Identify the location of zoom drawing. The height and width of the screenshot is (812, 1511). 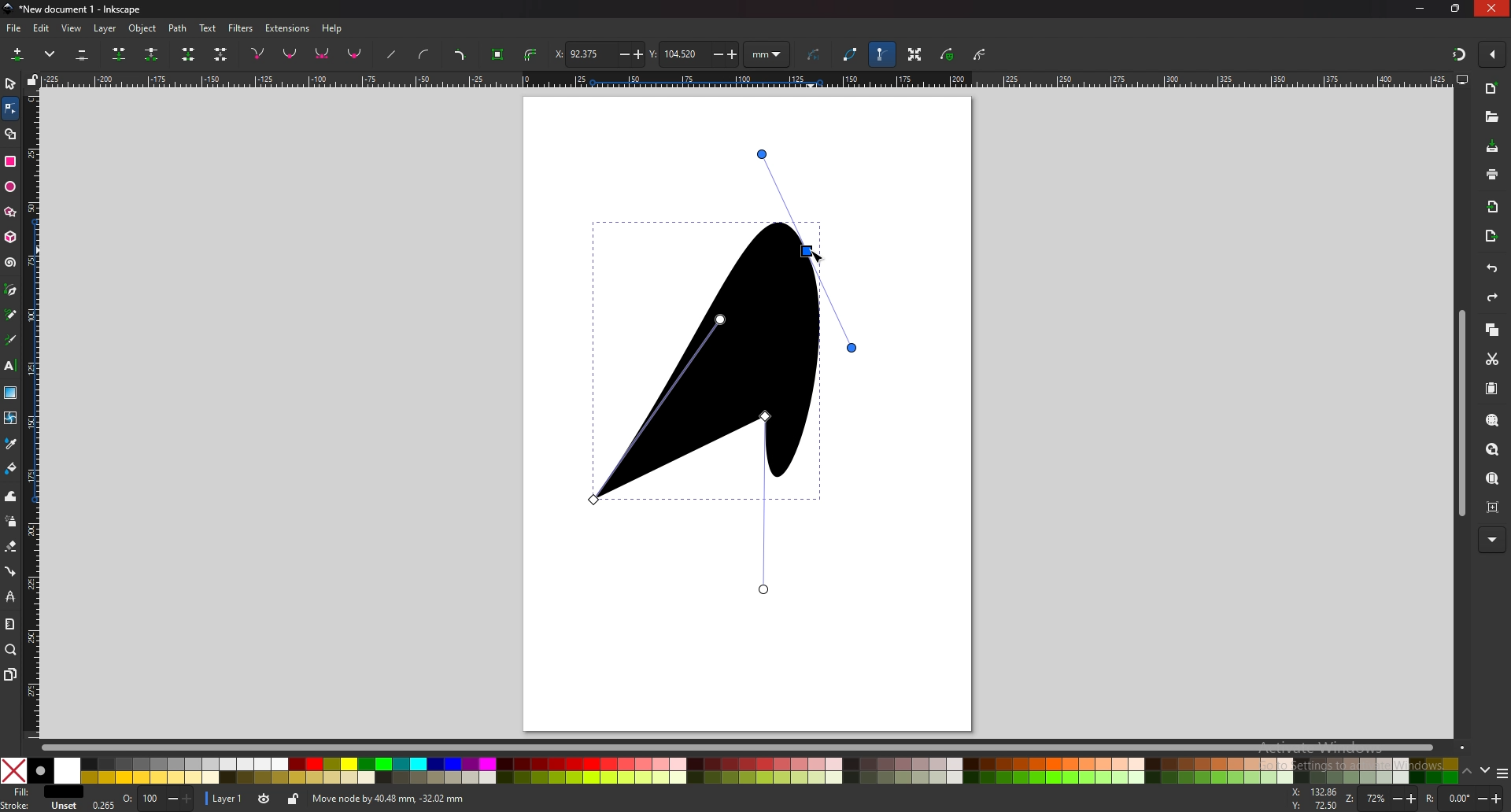
(1494, 450).